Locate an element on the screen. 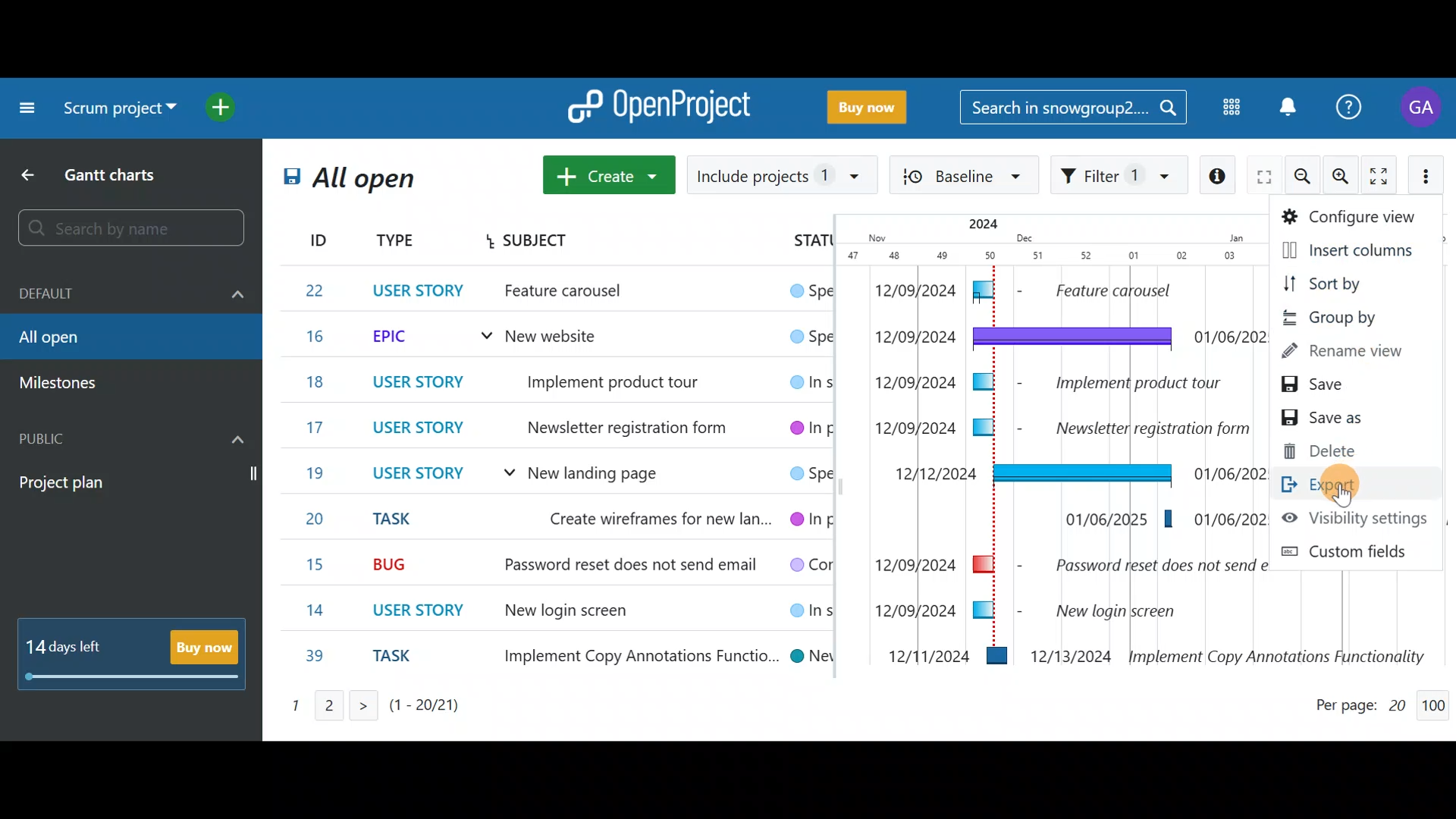 The image size is (1456, 819). USER STORY is located at coordinates (419, 475).